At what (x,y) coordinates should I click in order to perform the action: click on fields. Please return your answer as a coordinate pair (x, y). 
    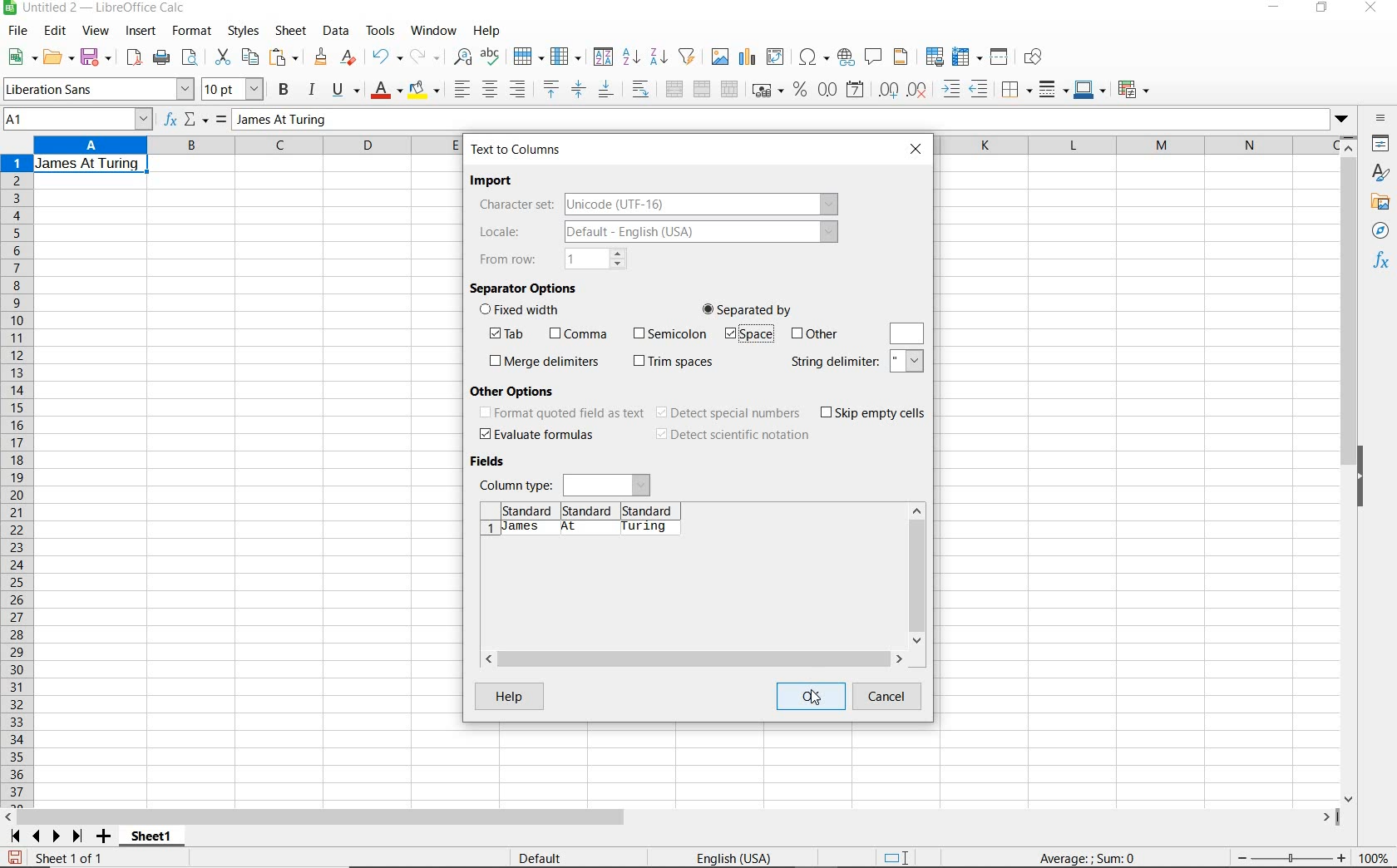
    Looking at the image, I should click on (492, 462).